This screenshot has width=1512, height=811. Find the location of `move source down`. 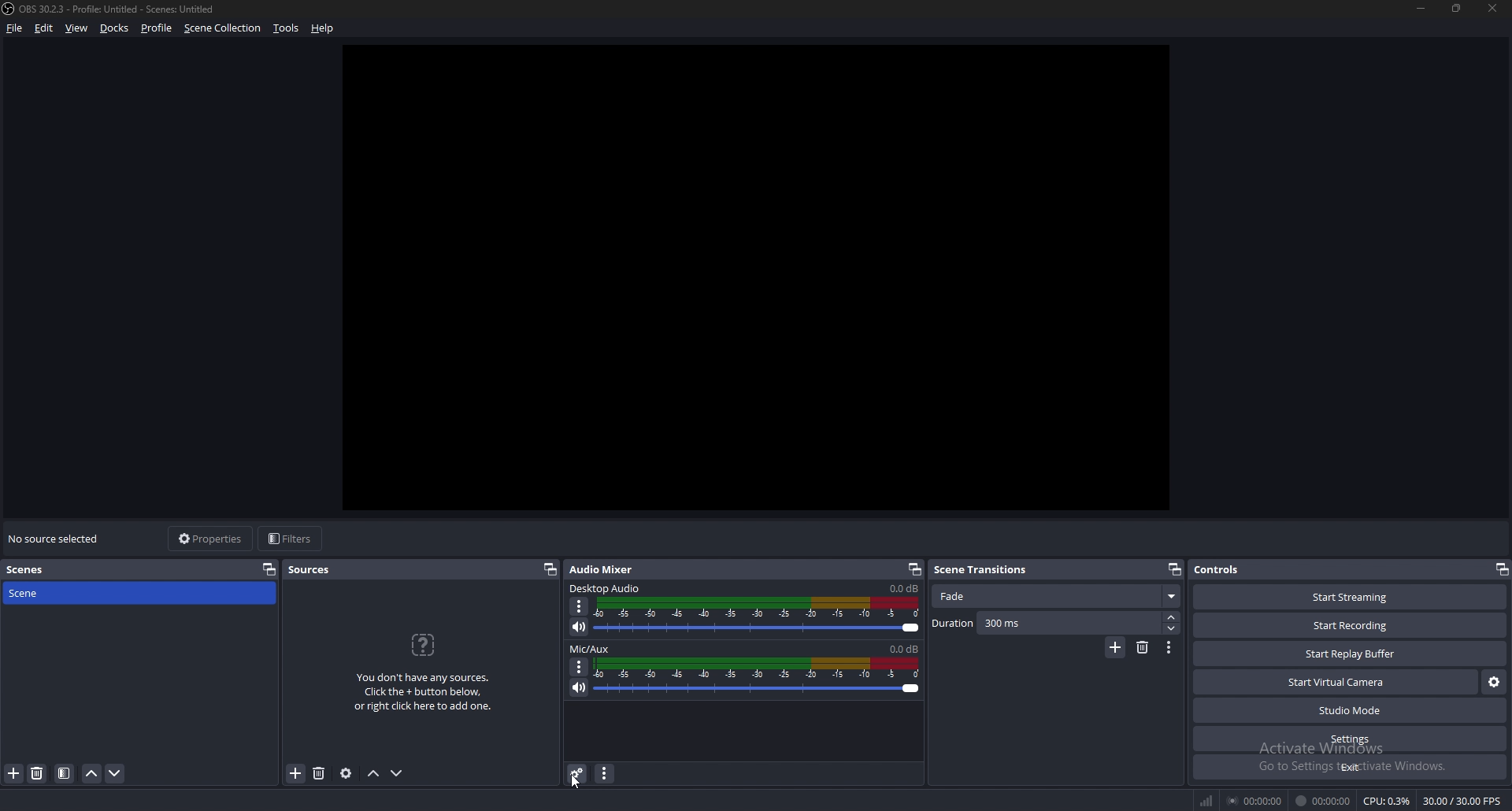

move source down is located at coordinates (397, 772).